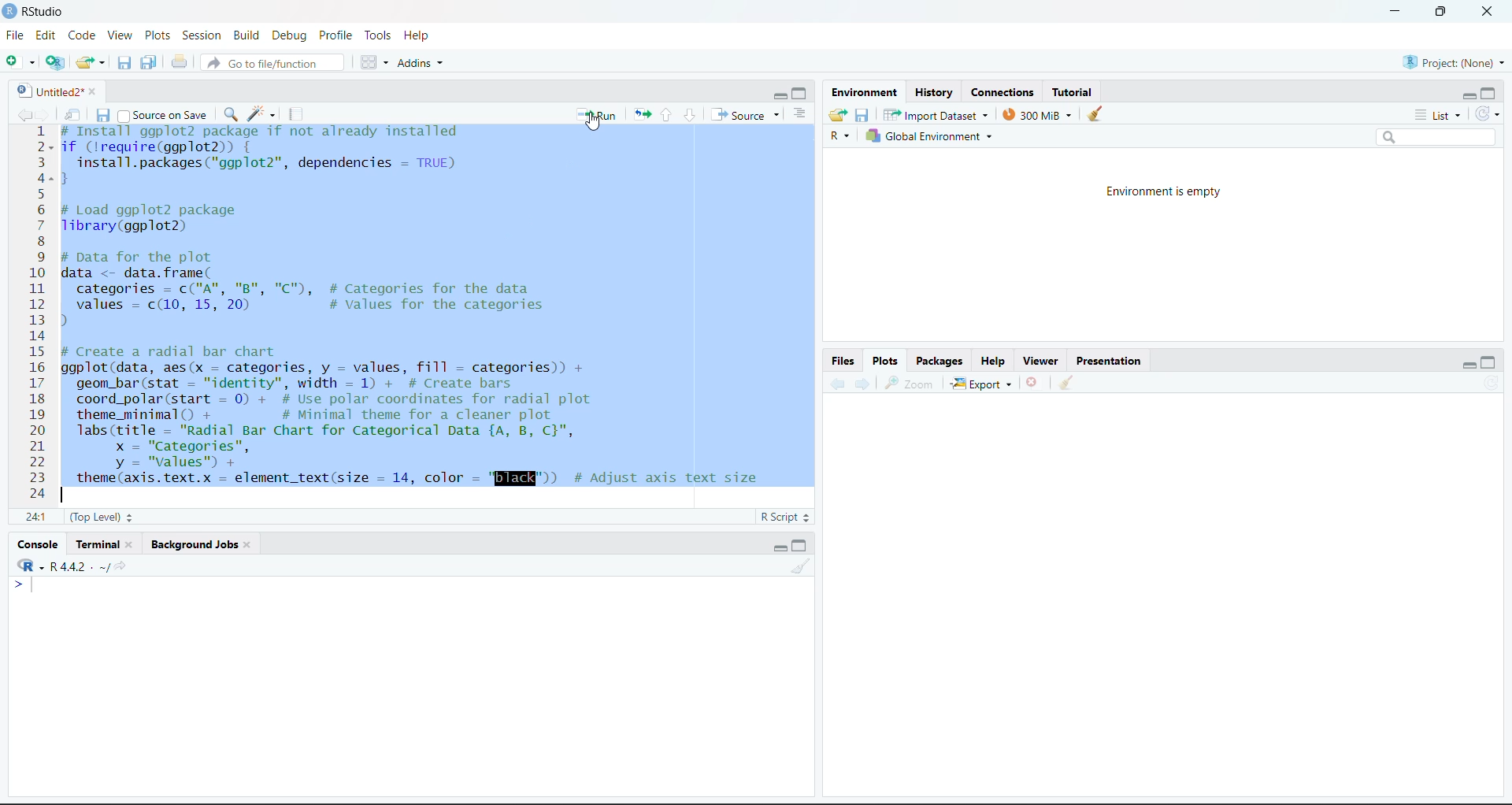 This screenshot has width=1512, height=805. What do you see at coordinates (13, 37) in the screenshot?
I see `File` at bounding box center [13, 37].